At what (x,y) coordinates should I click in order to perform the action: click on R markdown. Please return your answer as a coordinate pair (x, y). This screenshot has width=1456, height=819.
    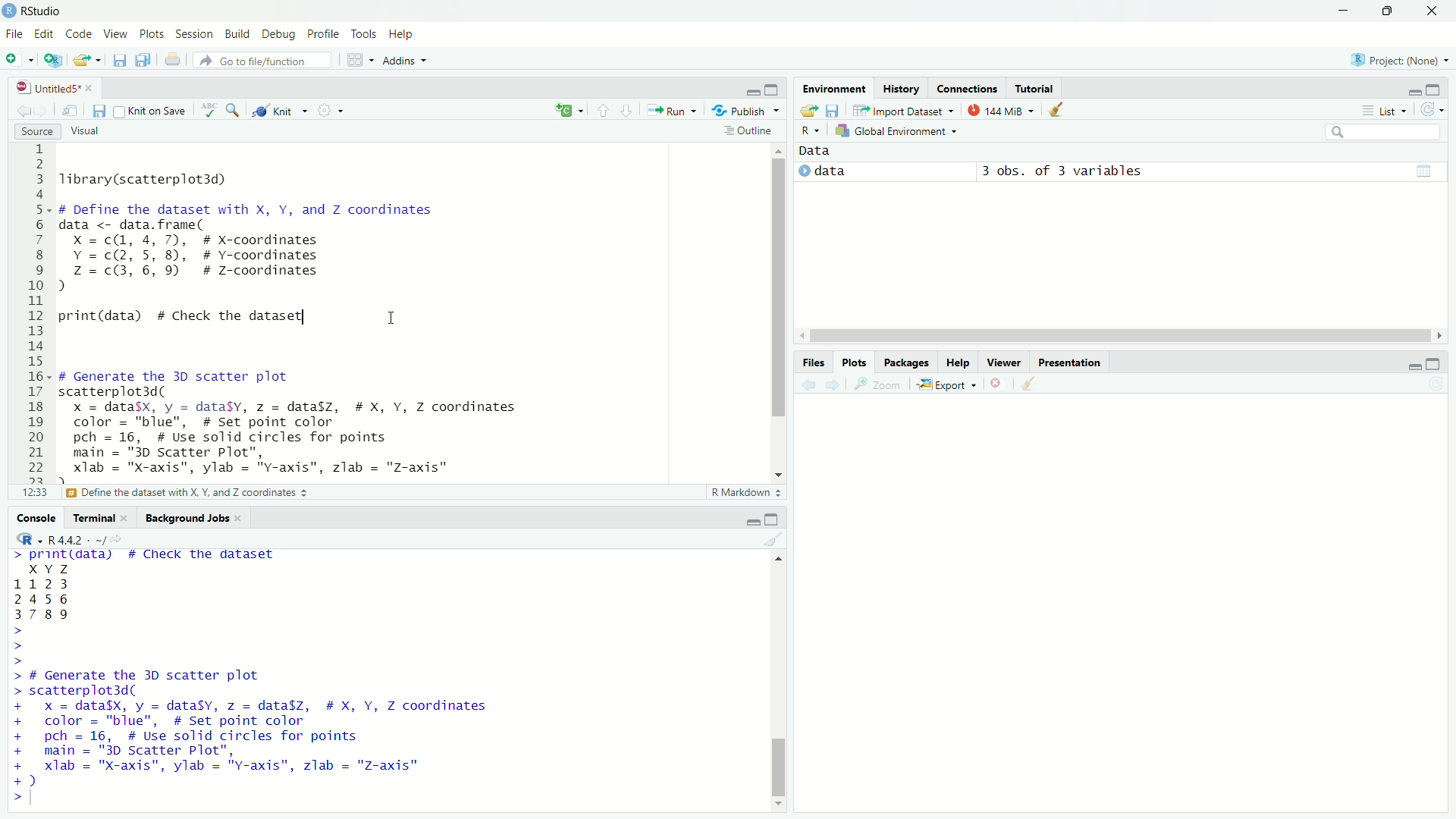
    Looking at the image, I should click on (746, 493).